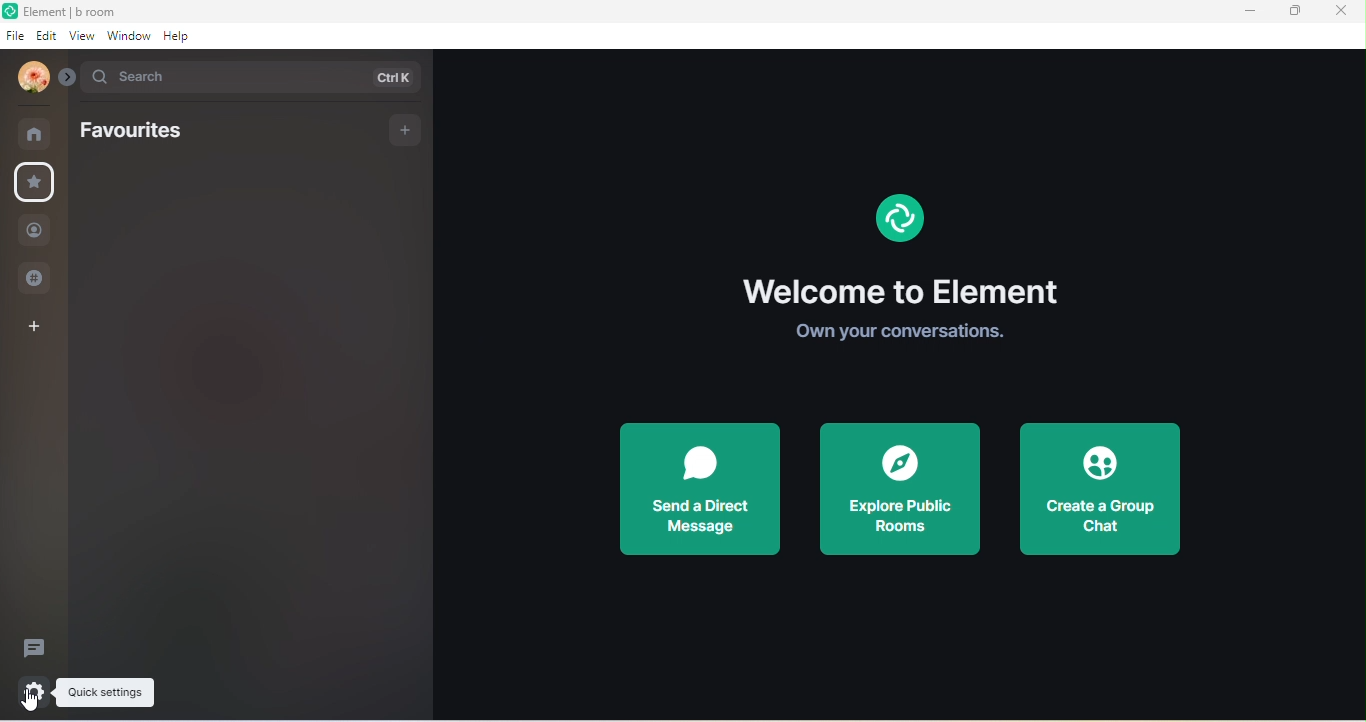 This screenshot has width=1366, height=722. Describe the element at coordinates (697, 490) in the screenshot. I see `send a direct message` at that location.